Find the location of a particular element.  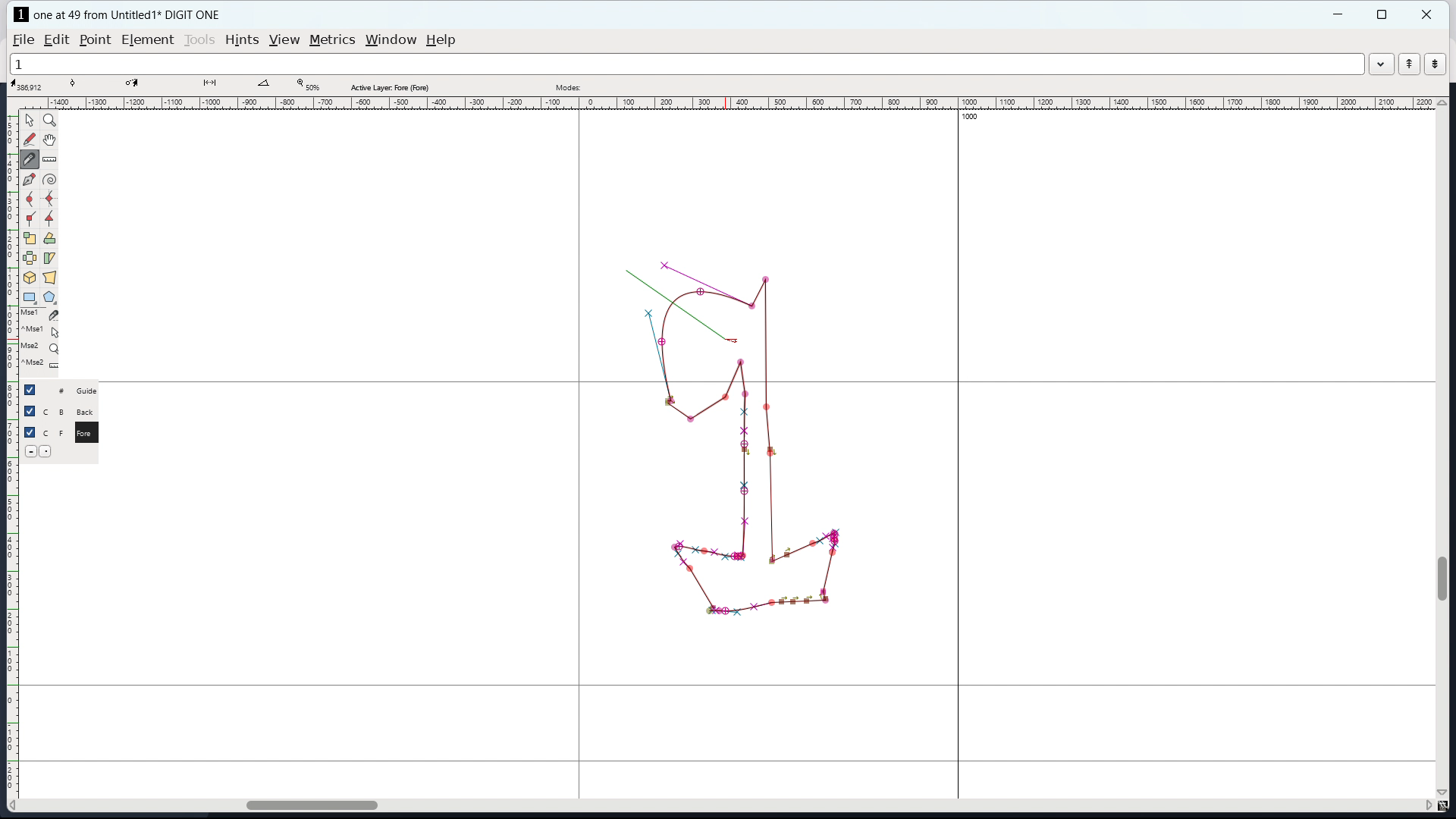

is layer visible is located at coordinates (30, 390).